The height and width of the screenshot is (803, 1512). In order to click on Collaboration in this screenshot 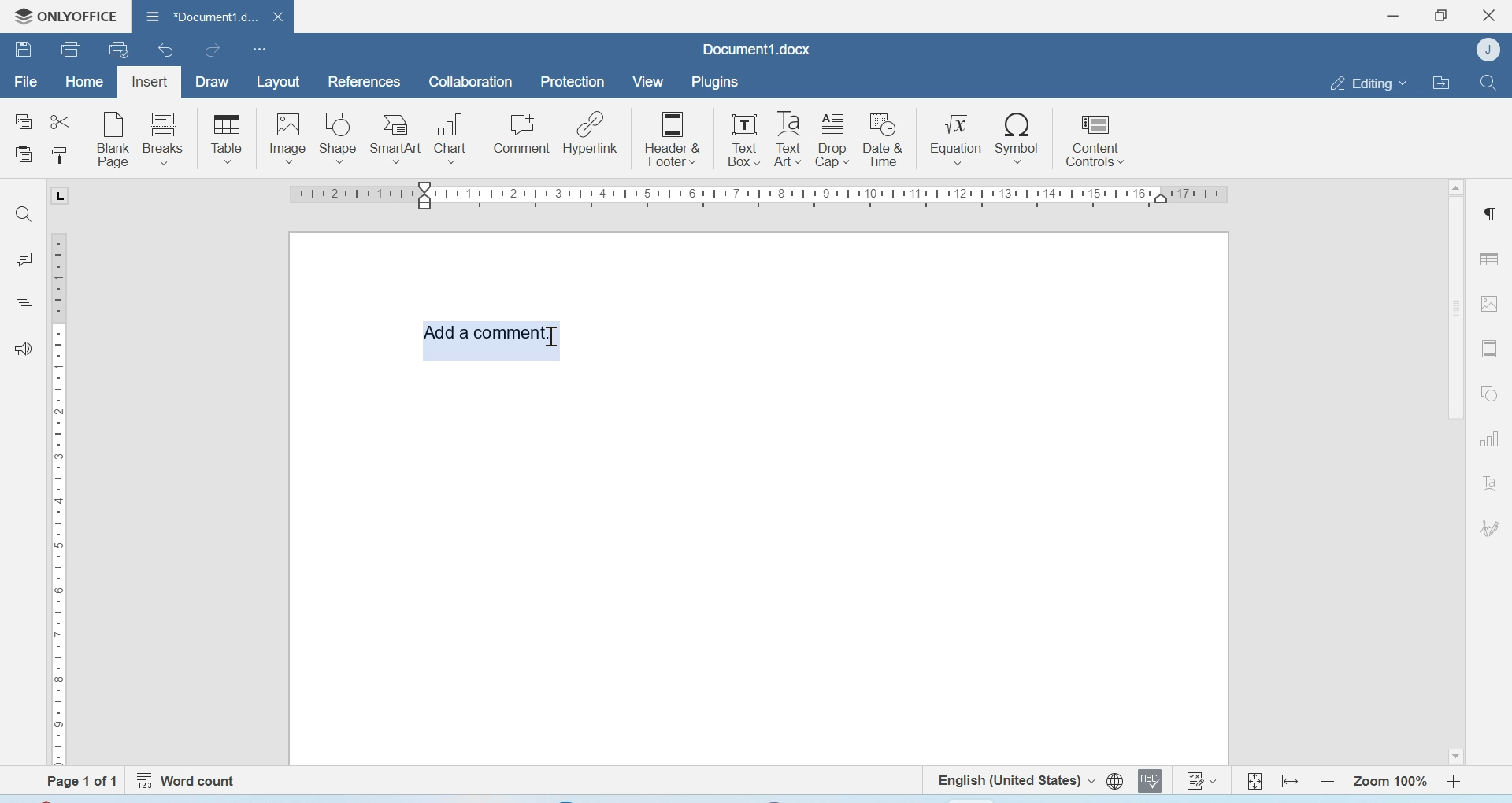, I will do `click(471, 82)`.